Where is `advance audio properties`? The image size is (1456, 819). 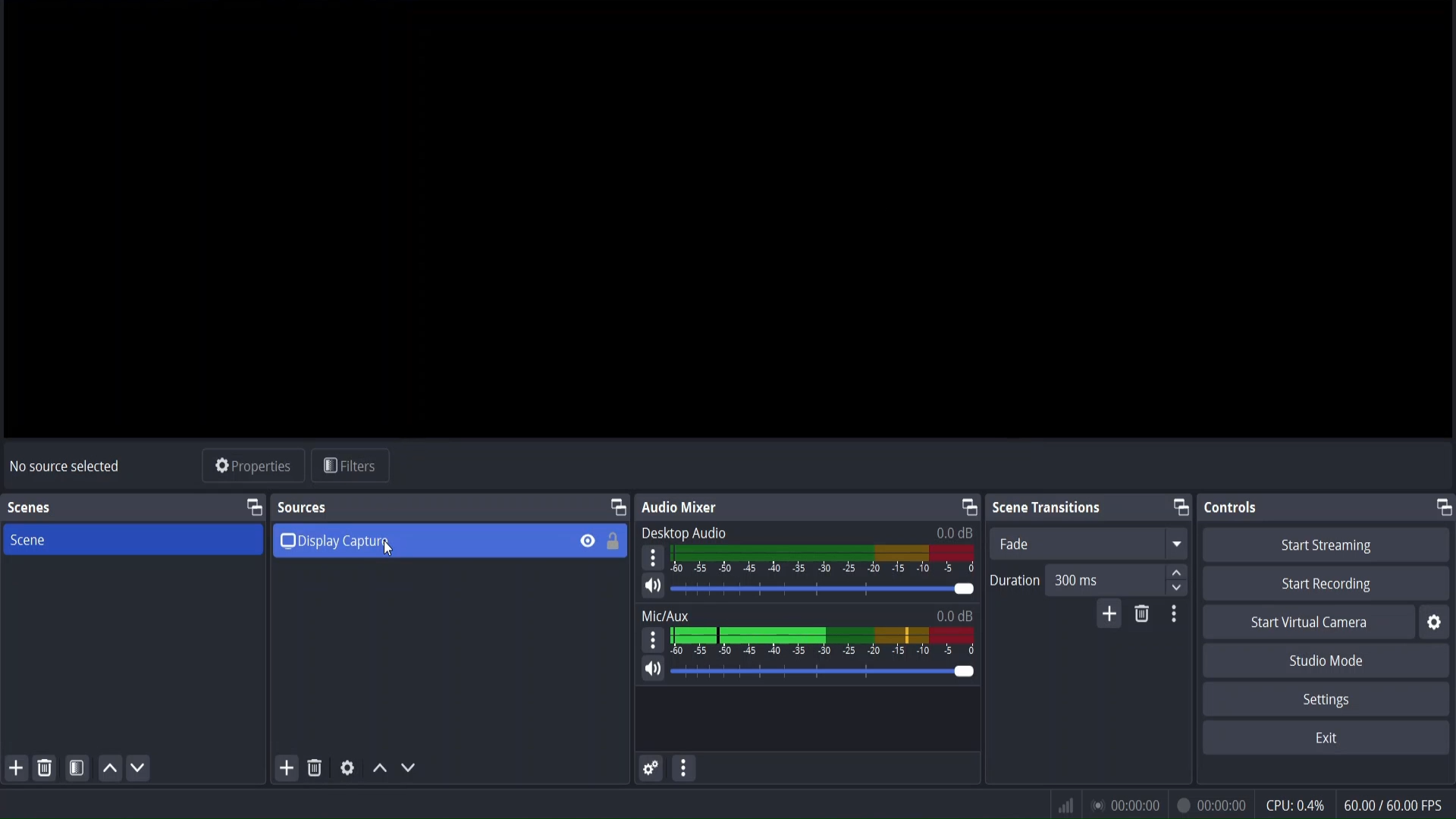 advance audio properties is located at coordinates (648, 767).